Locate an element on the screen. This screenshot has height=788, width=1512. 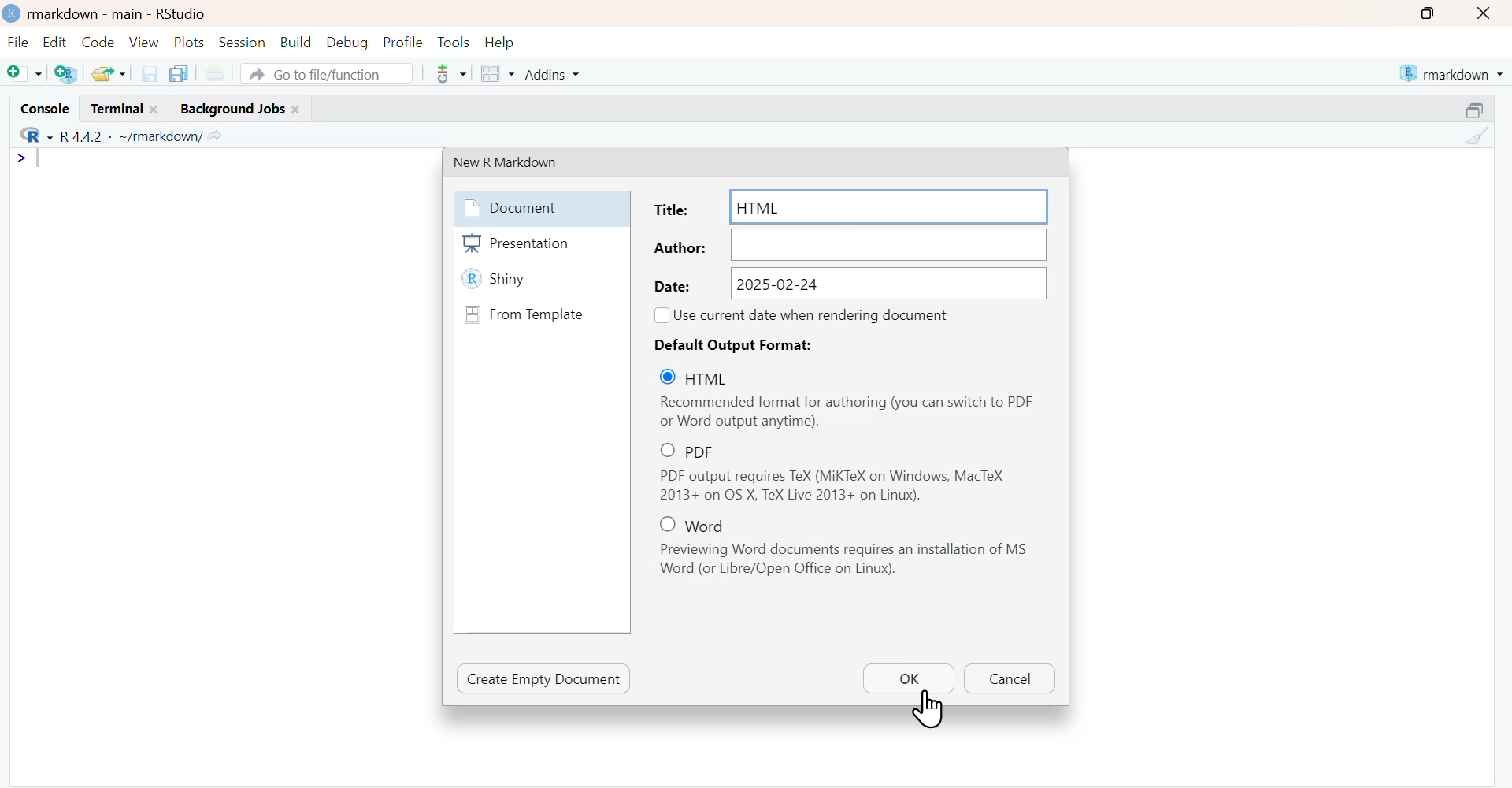
Profile is located at coordinates (402, 43).